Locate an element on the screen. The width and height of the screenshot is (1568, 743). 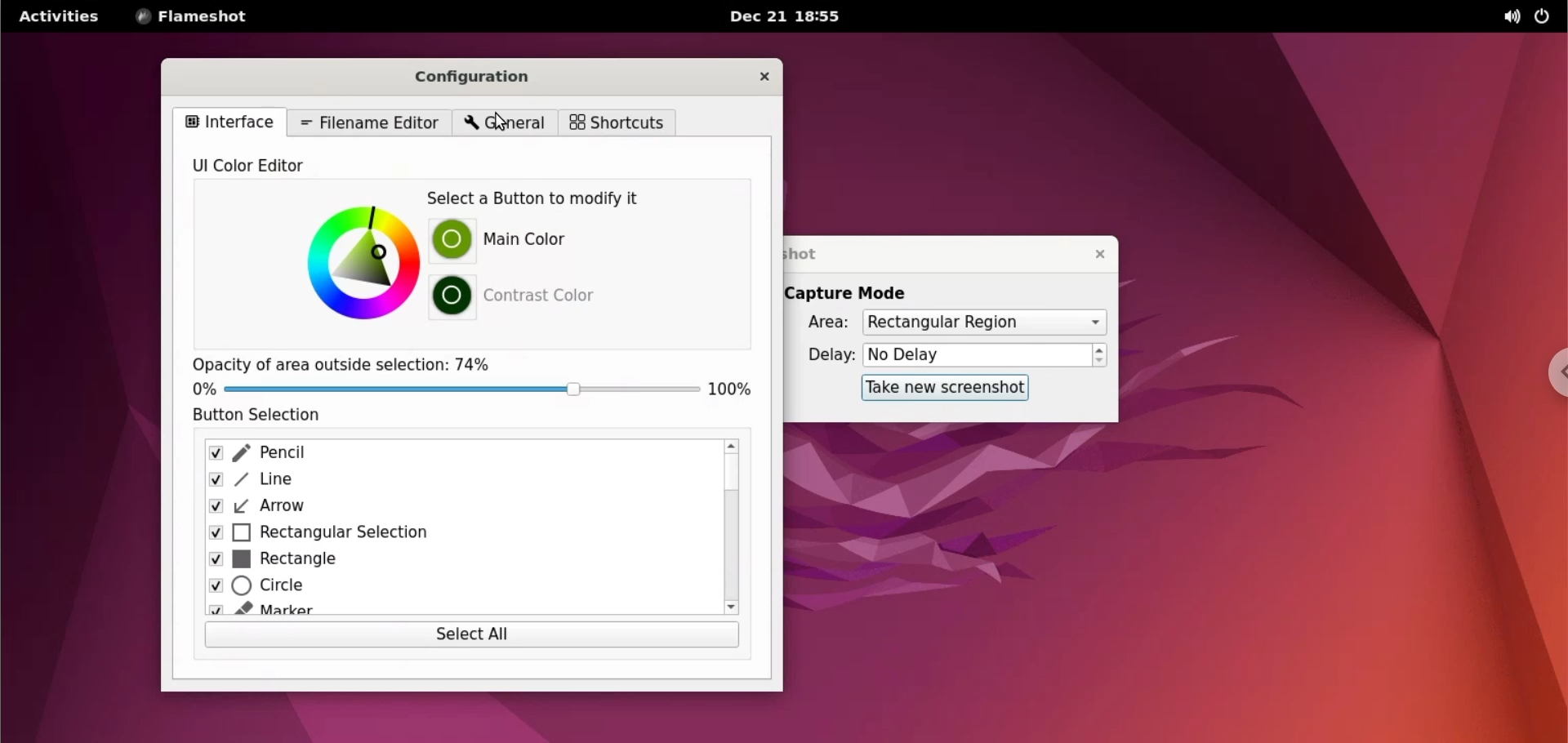
shortcuts is located at coordinates (615, 122).